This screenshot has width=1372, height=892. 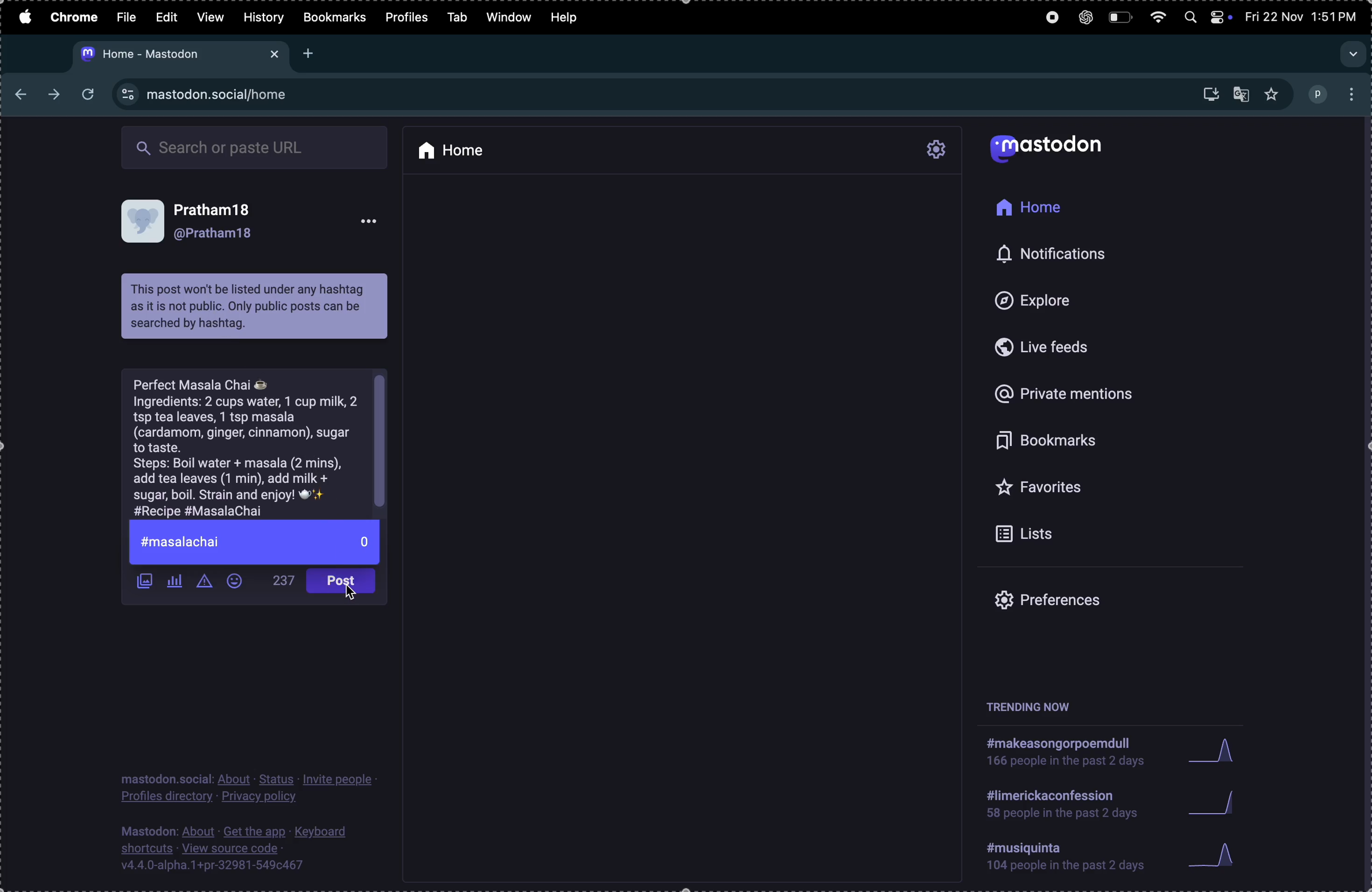 I want to click on mastodon logo, so click(x=1066, y=144).